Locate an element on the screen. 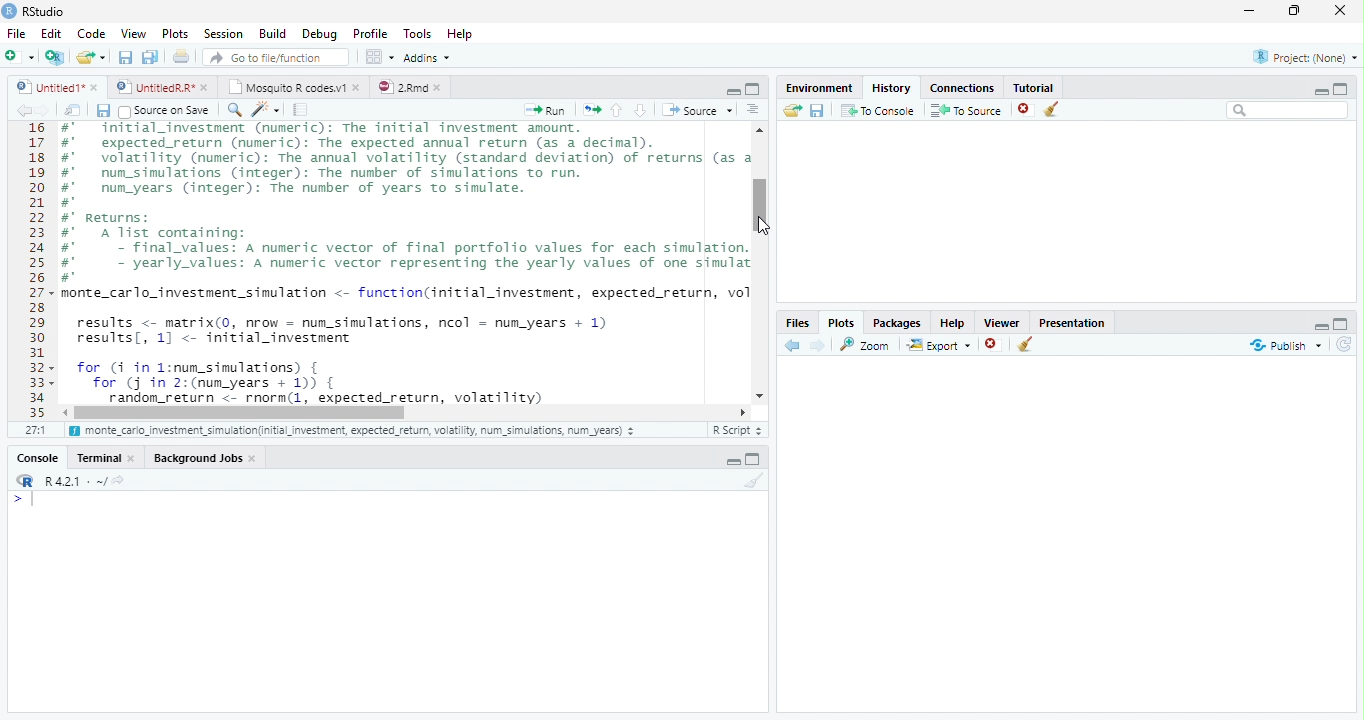 This screenshot has height=720, width=1364. Run is located at coordinates (546, 110).